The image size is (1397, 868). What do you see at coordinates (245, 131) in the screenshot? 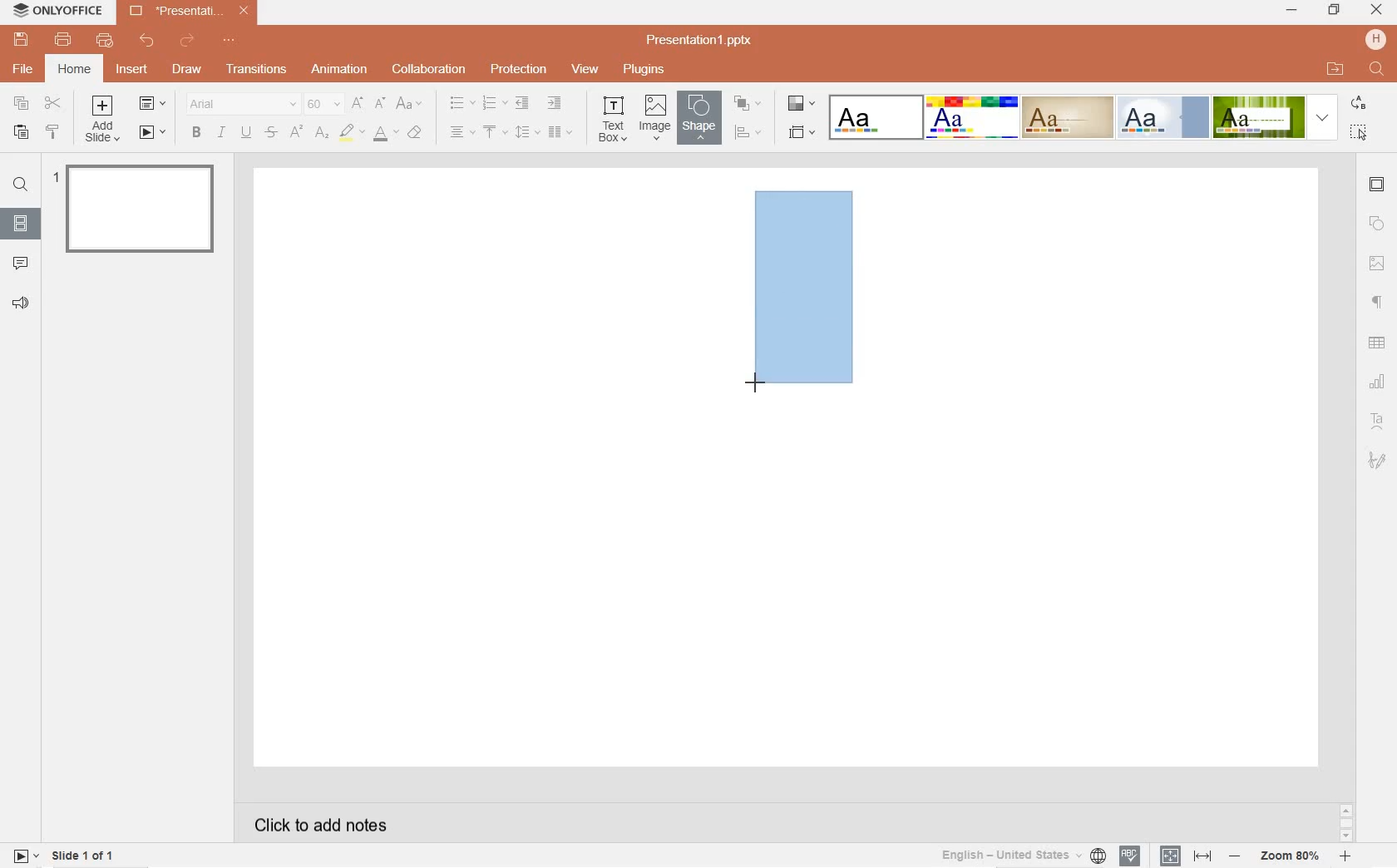
I see `underline` at bounding box center [245, 131].